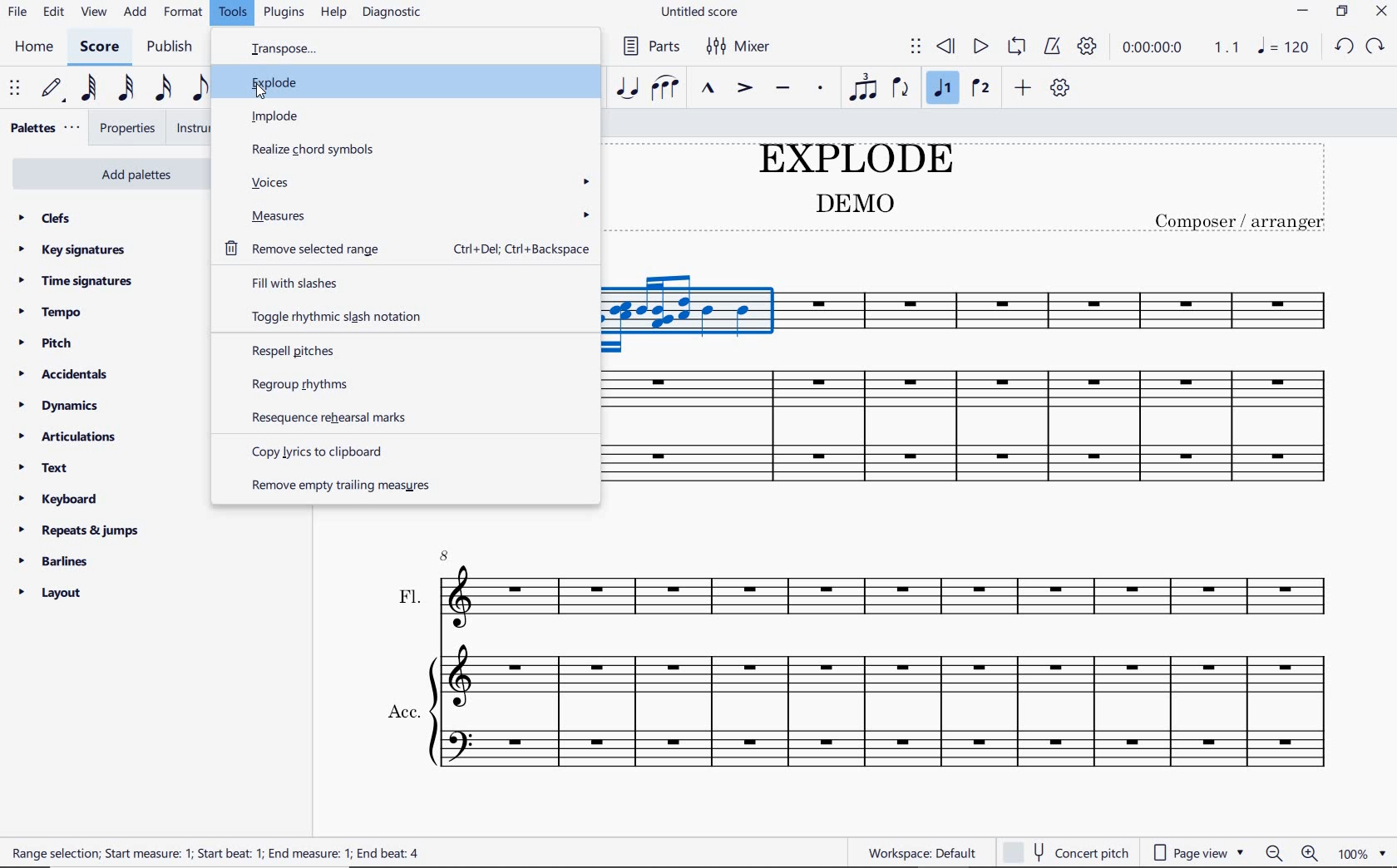 This screenshot has height=868, width=1397. What do you see at coordinates (402, 281) in the screenshot?
I see `fill with slashes` at bounding box center [402, 281].